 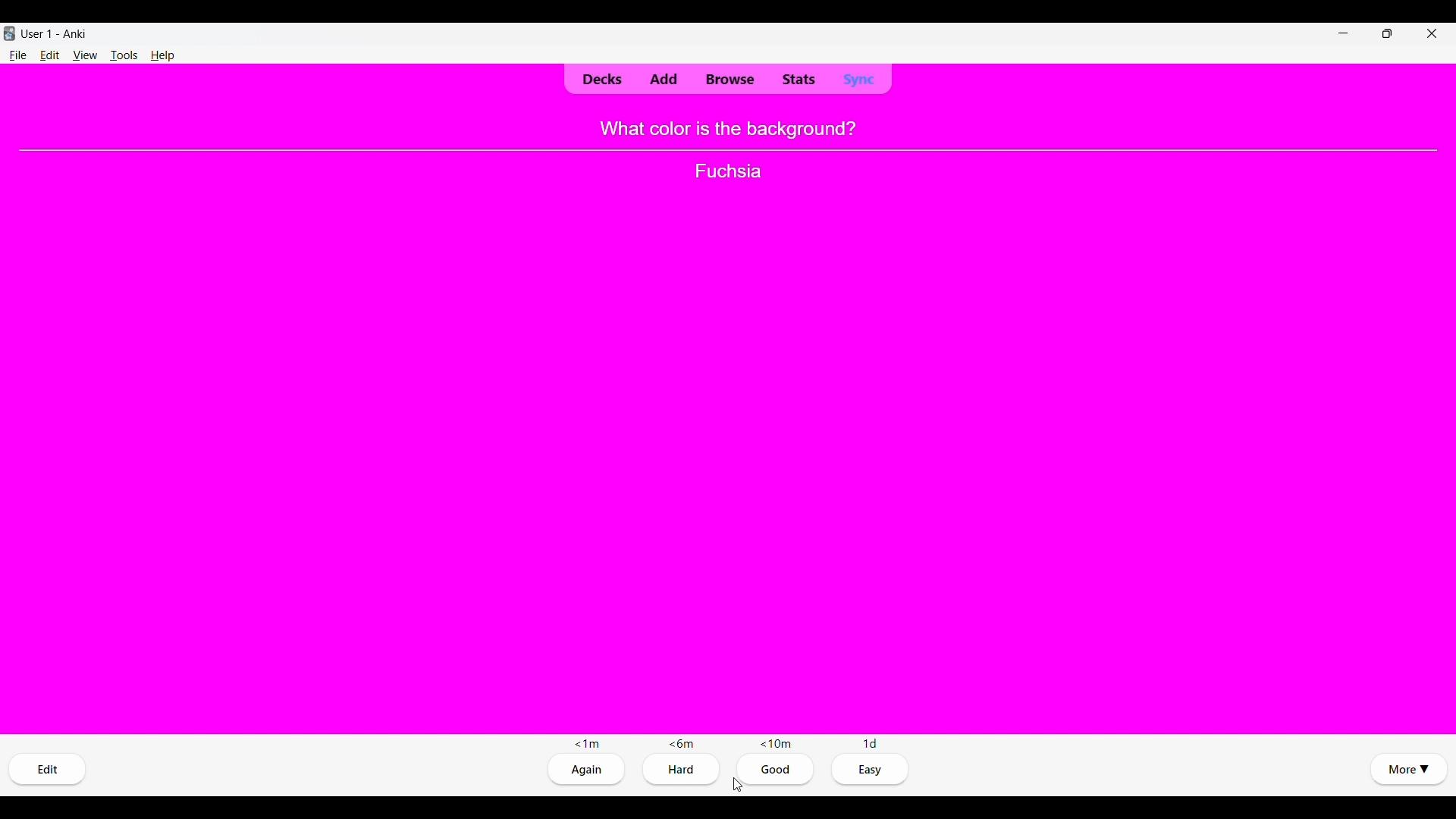 What do you see at coordinates (663, 80) in the screenshot?
I see `Add` at bounding box center [663, 80].